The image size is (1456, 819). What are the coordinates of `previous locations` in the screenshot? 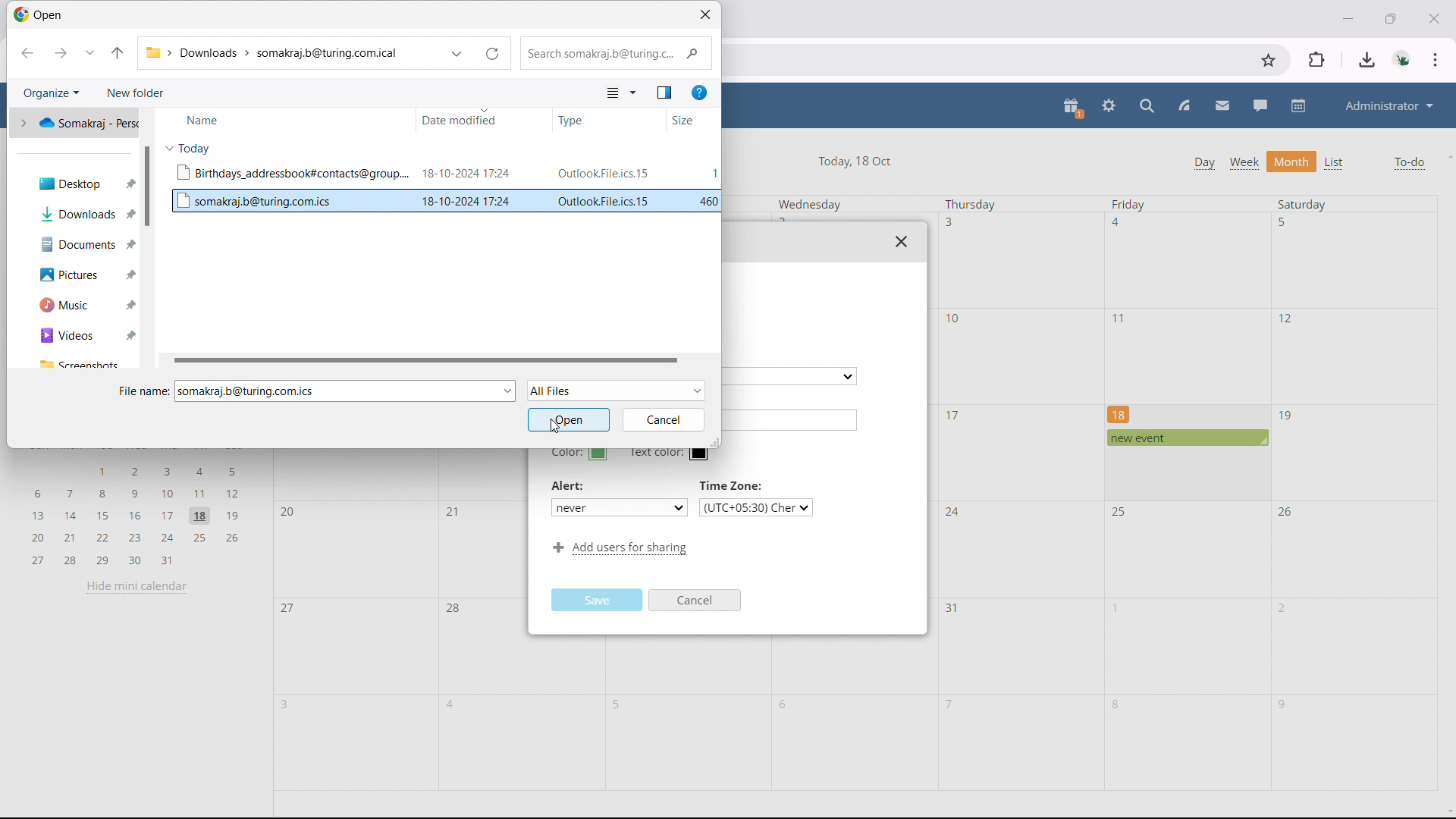 It's located at (457, 54).